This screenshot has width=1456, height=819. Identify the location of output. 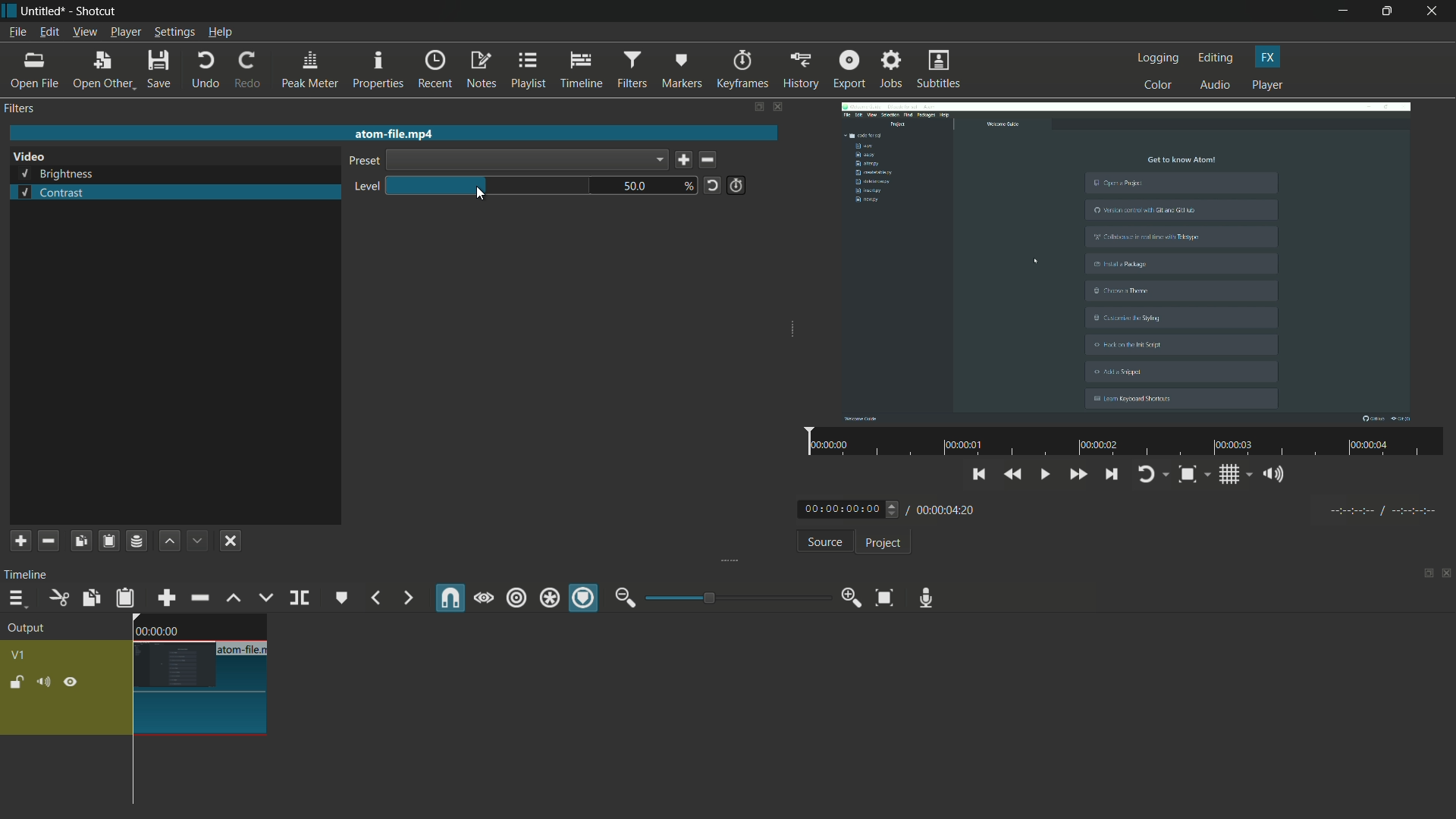
(31, 629).